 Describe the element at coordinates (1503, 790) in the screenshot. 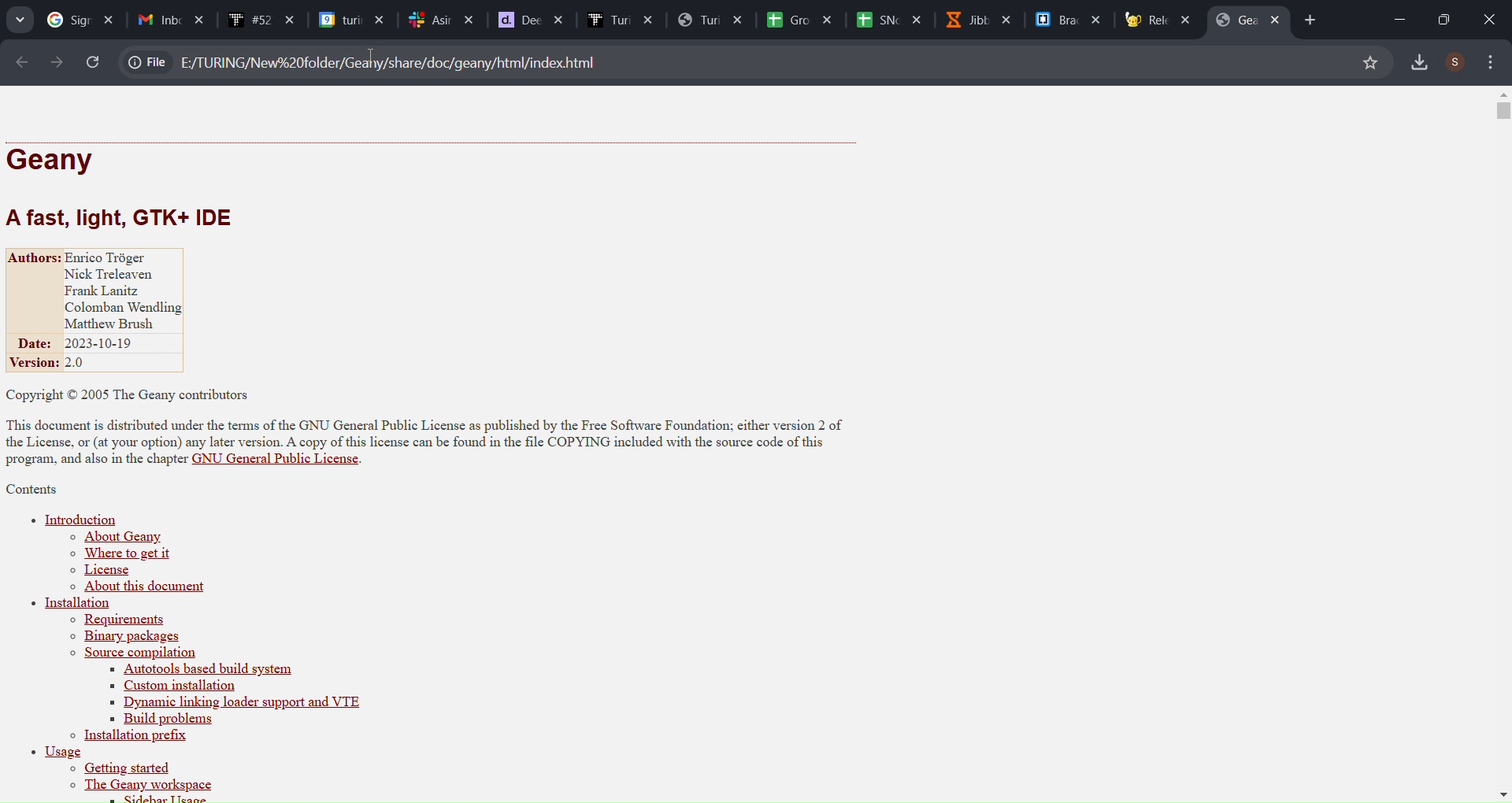

I see `scroll down` at that location.